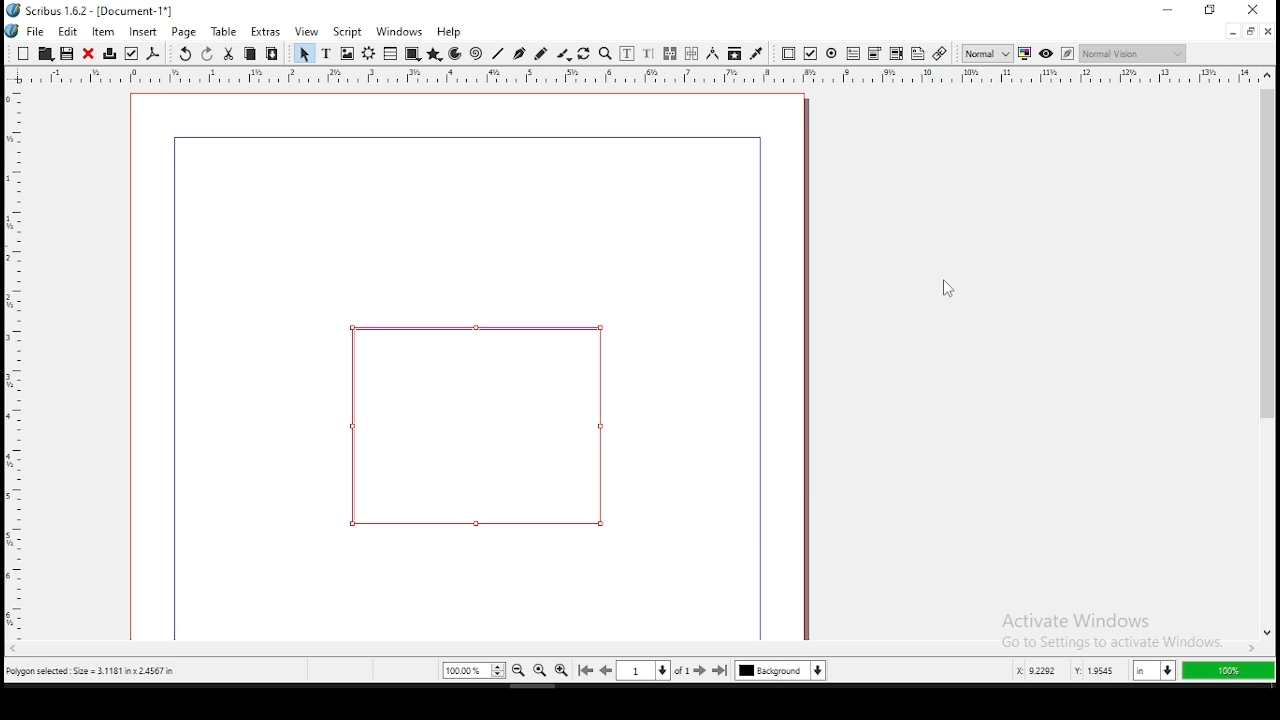 The height and width of the screenshot is (720, 1280). I want to click on go to next page, so click(701, 671).